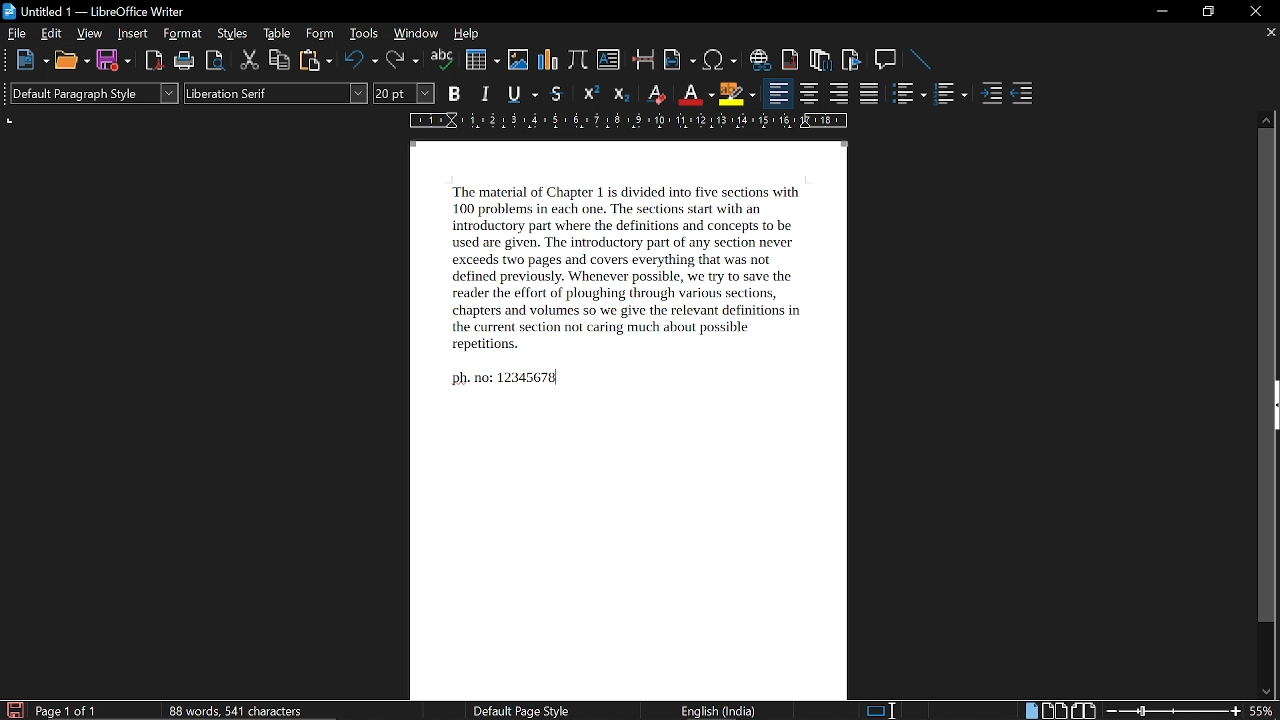 Image resolution: width=1280 pixels, height=720 pixels. Describe the element at coordinates (810, 95) in the screenshot. I see `align center` at that location.